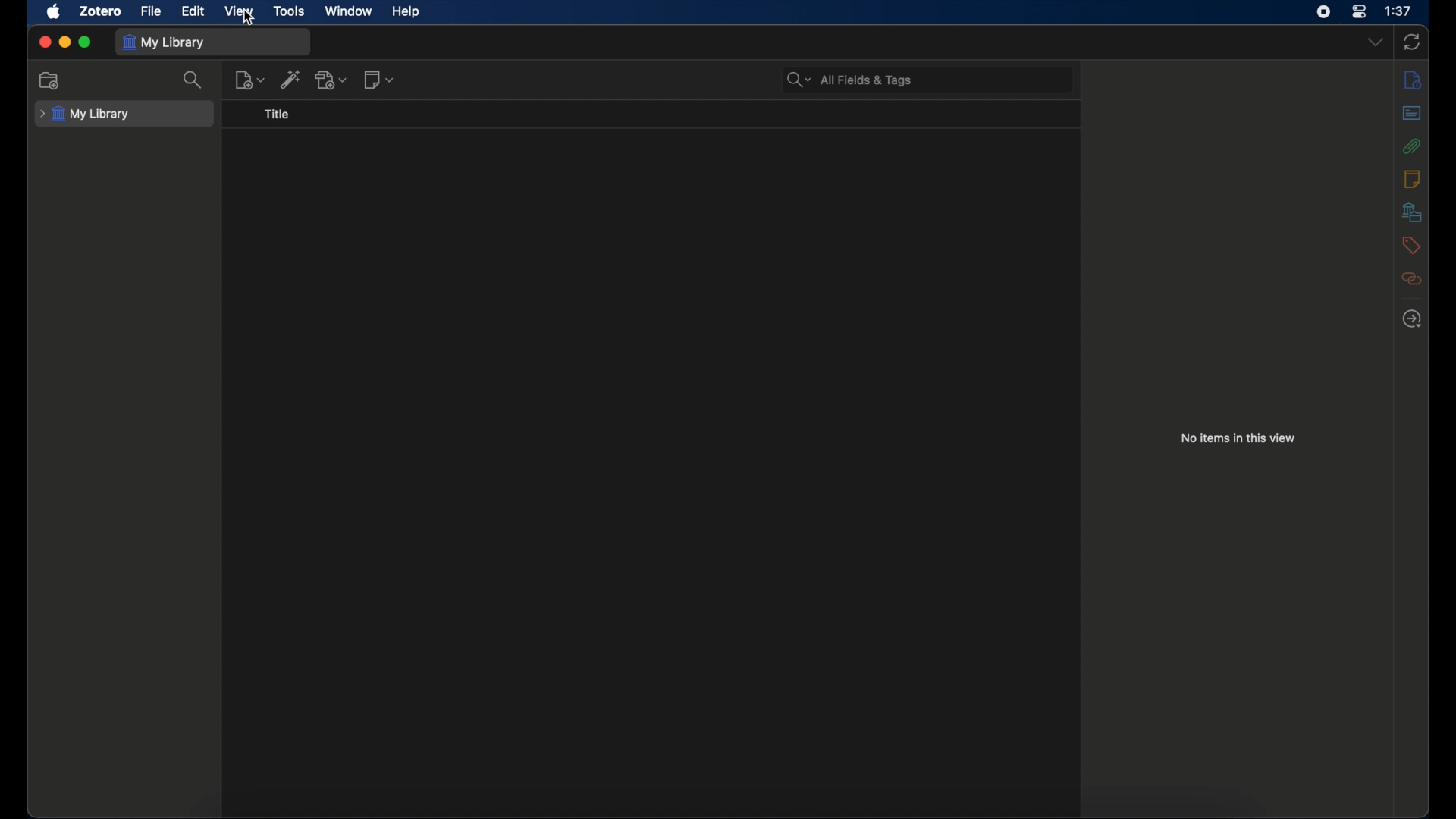 This screenshot has width=1456, height=819. Describe the element at coordinates (382, 82) in the screenshot. I see `new notes` at that location.